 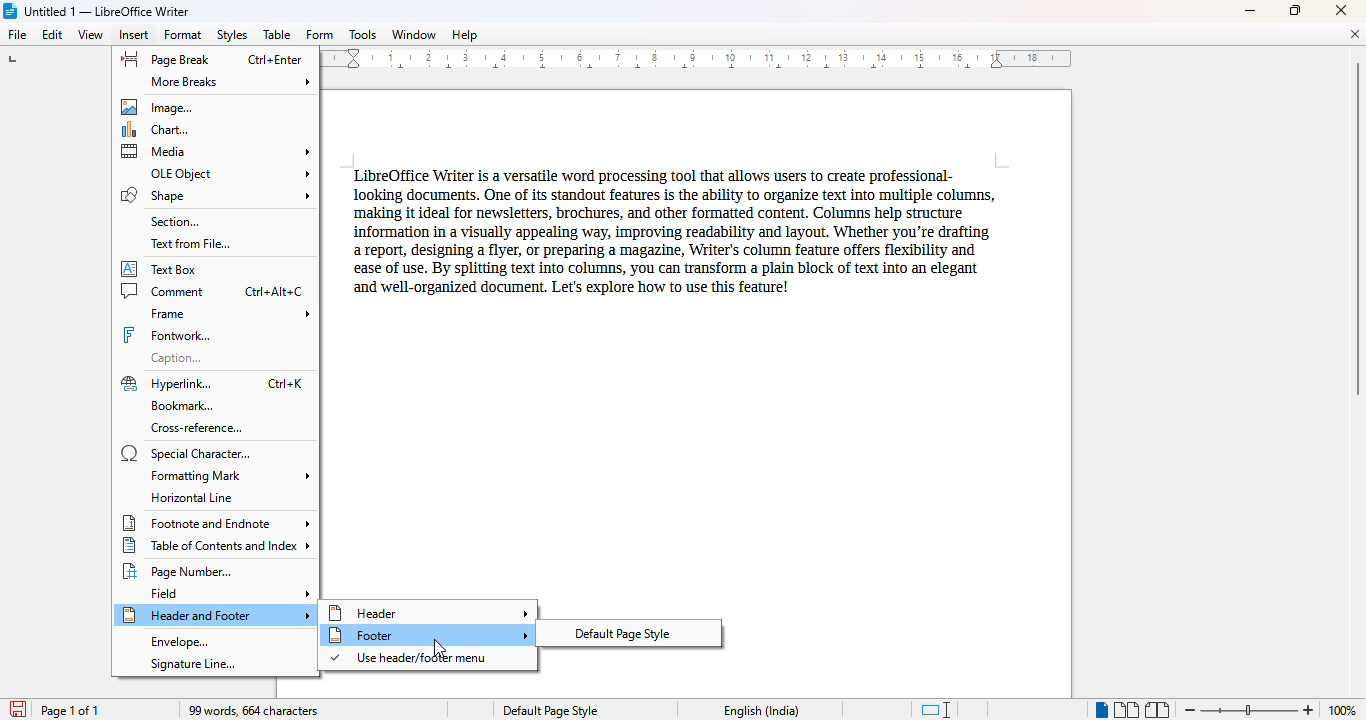 What do you see at coordinates (15, 709) in the screenshot?
I see `click to save document` at bounding box center [15, 709].